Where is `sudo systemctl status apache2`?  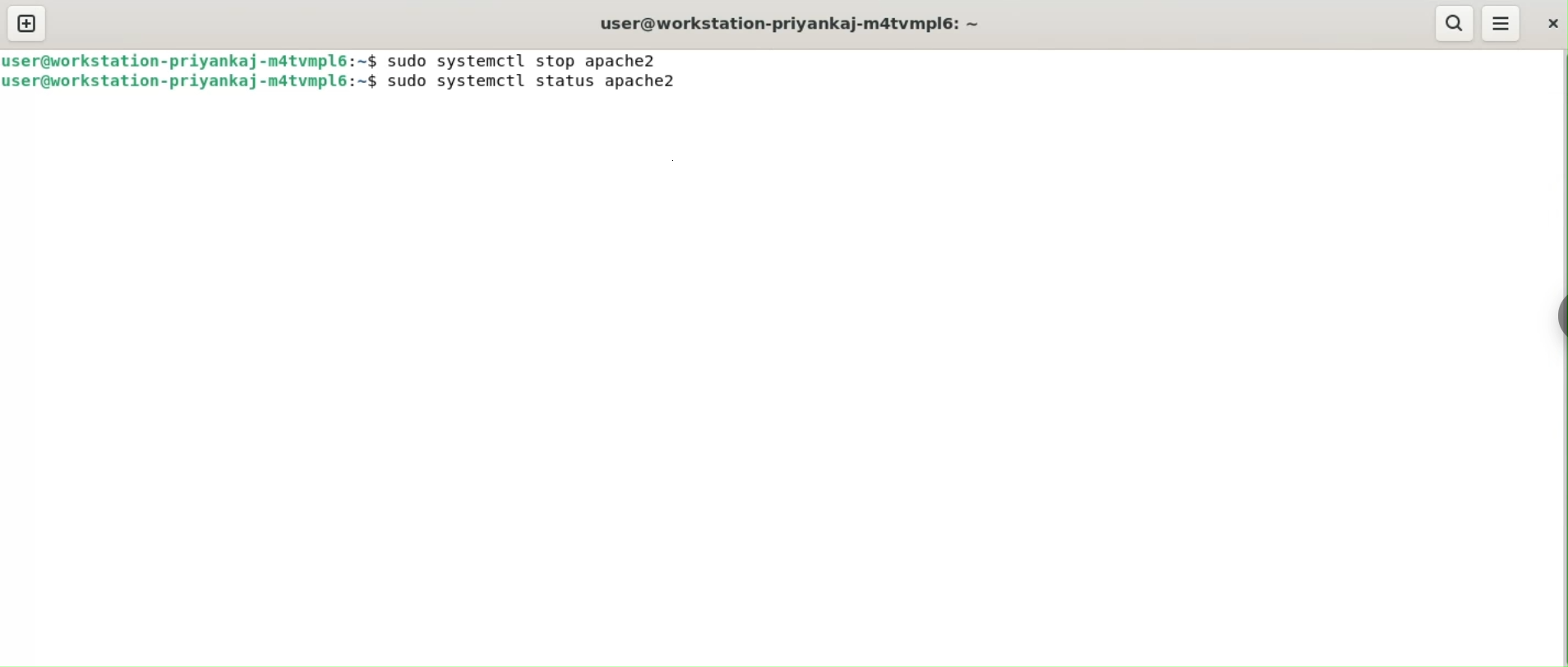 sudo systemctl status apache2 is located at coordinates (546, 81).